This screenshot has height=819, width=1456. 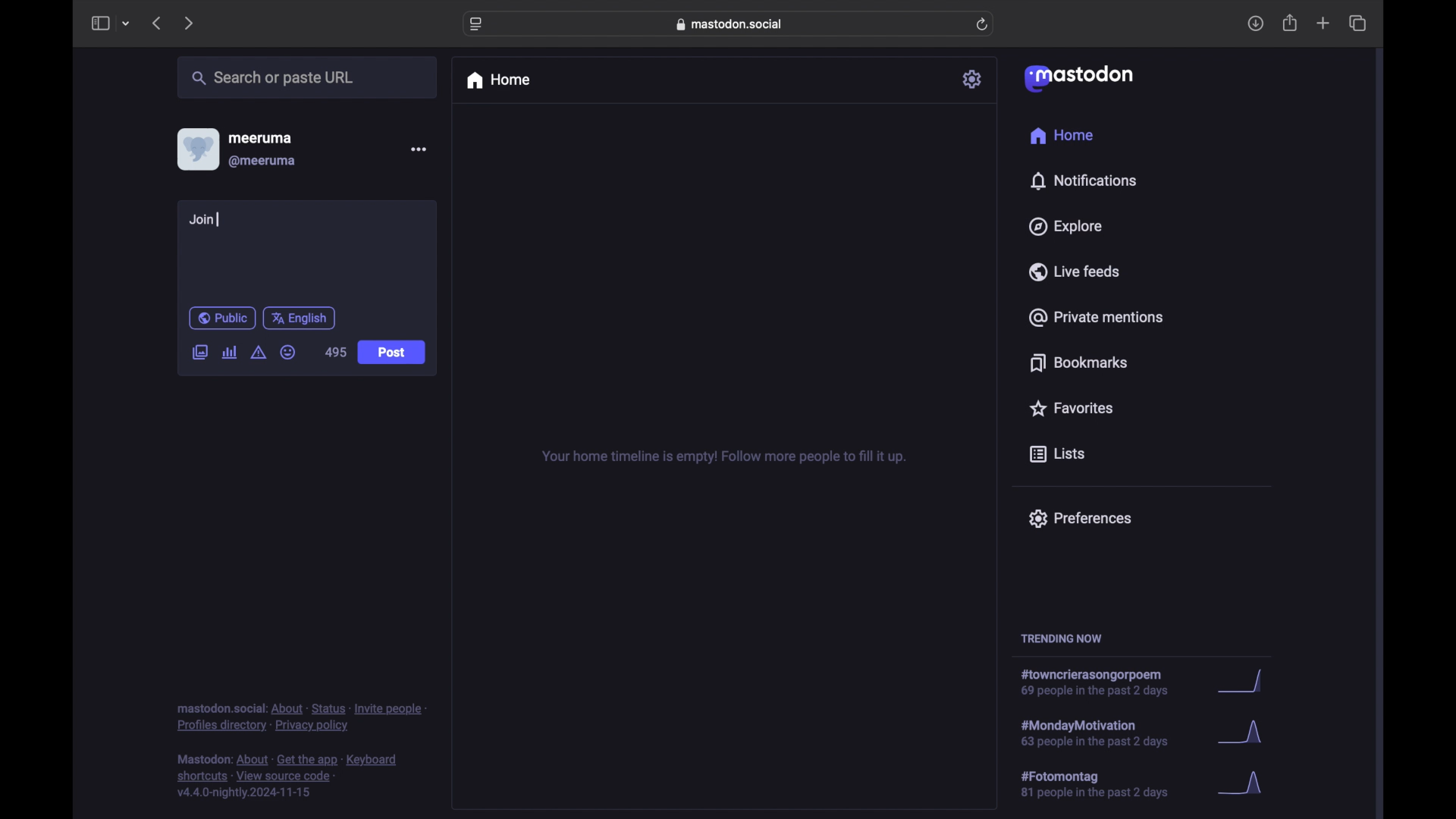 What do you see at coordinates (1253, 789) in the screenshot?
I see `graph` at bounding box center [1253, 789].